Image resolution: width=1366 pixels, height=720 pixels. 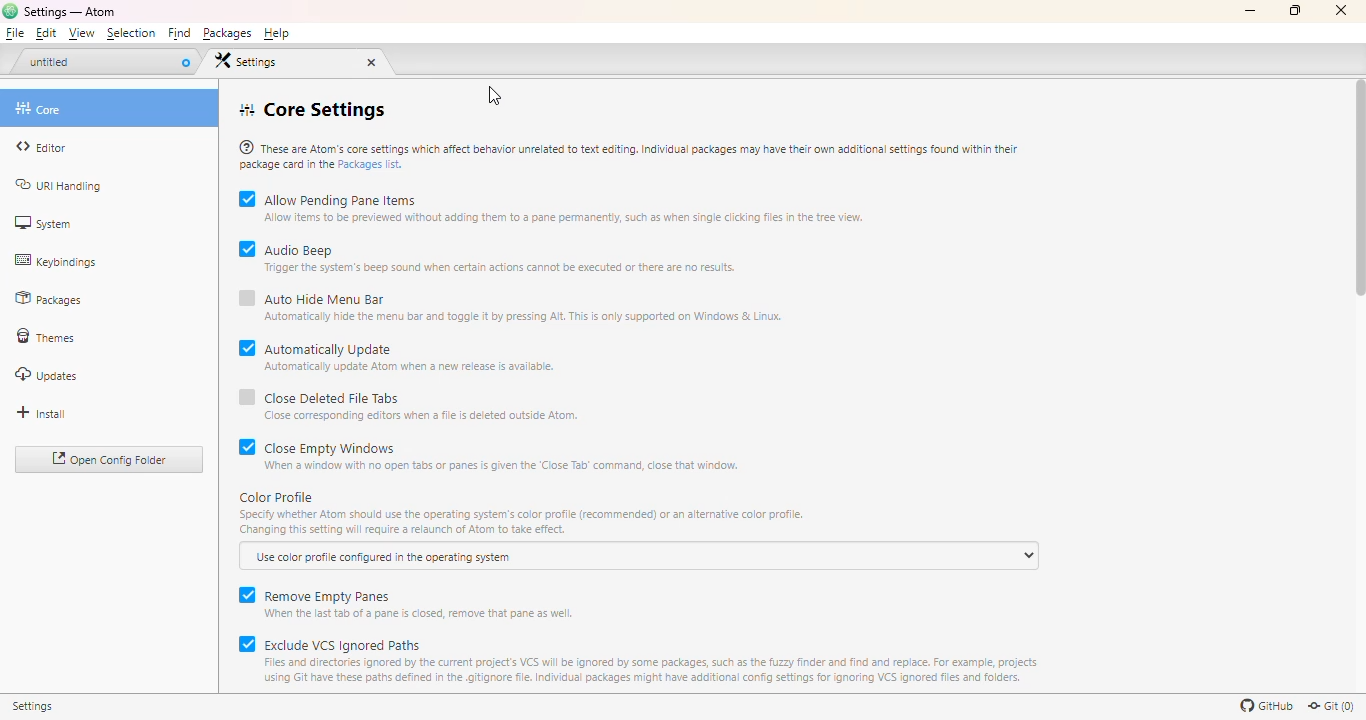 What do you see at coordinates (245, 600) in the screenshot?
I see `checkbox` at bounding box center [245, 600].